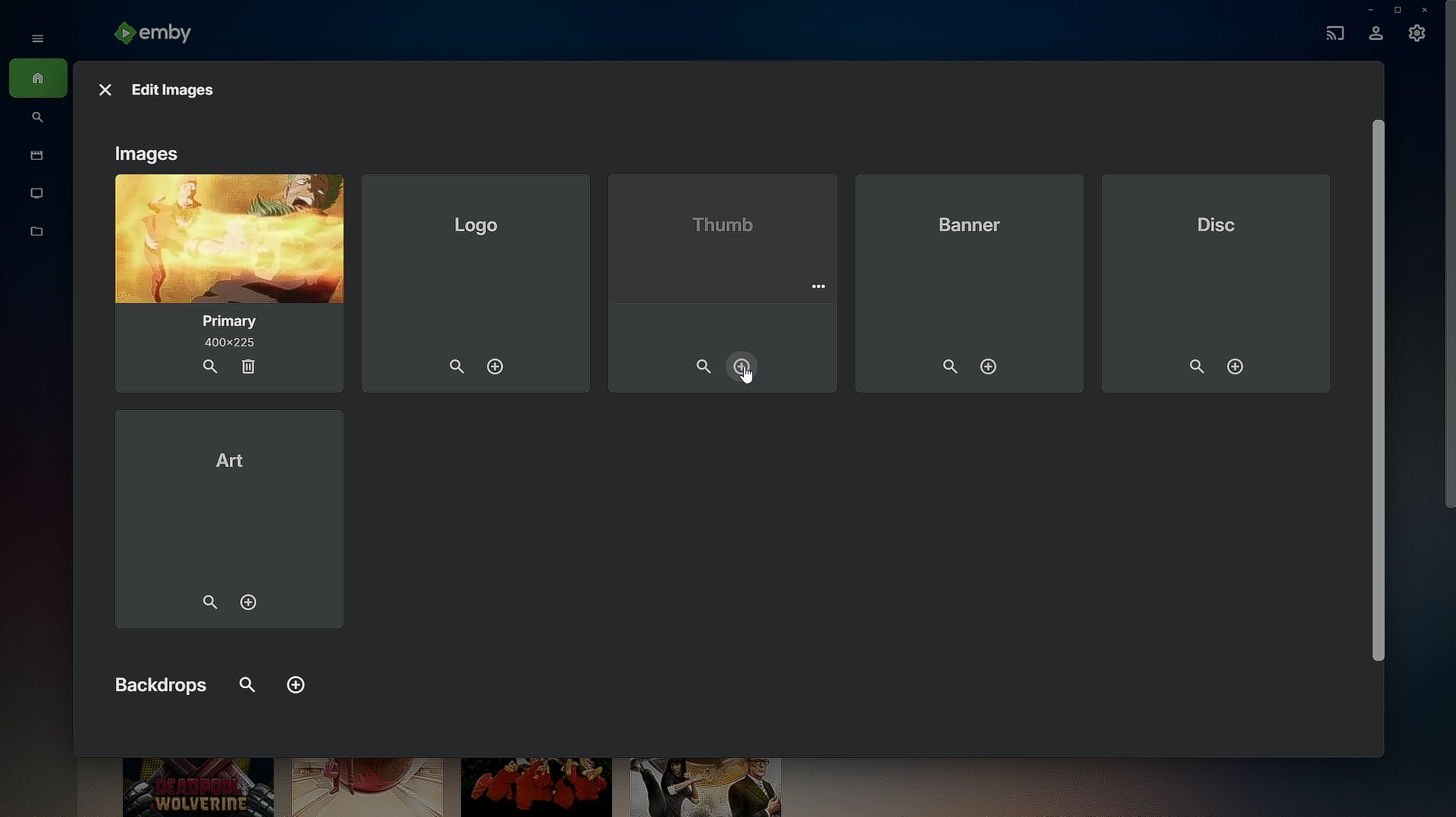 The height and width of the screenshot is (817, 1456). What do you see at coordinates (159, 35) in the screenshot?
I see `emby` at bounding box center [159, 35].